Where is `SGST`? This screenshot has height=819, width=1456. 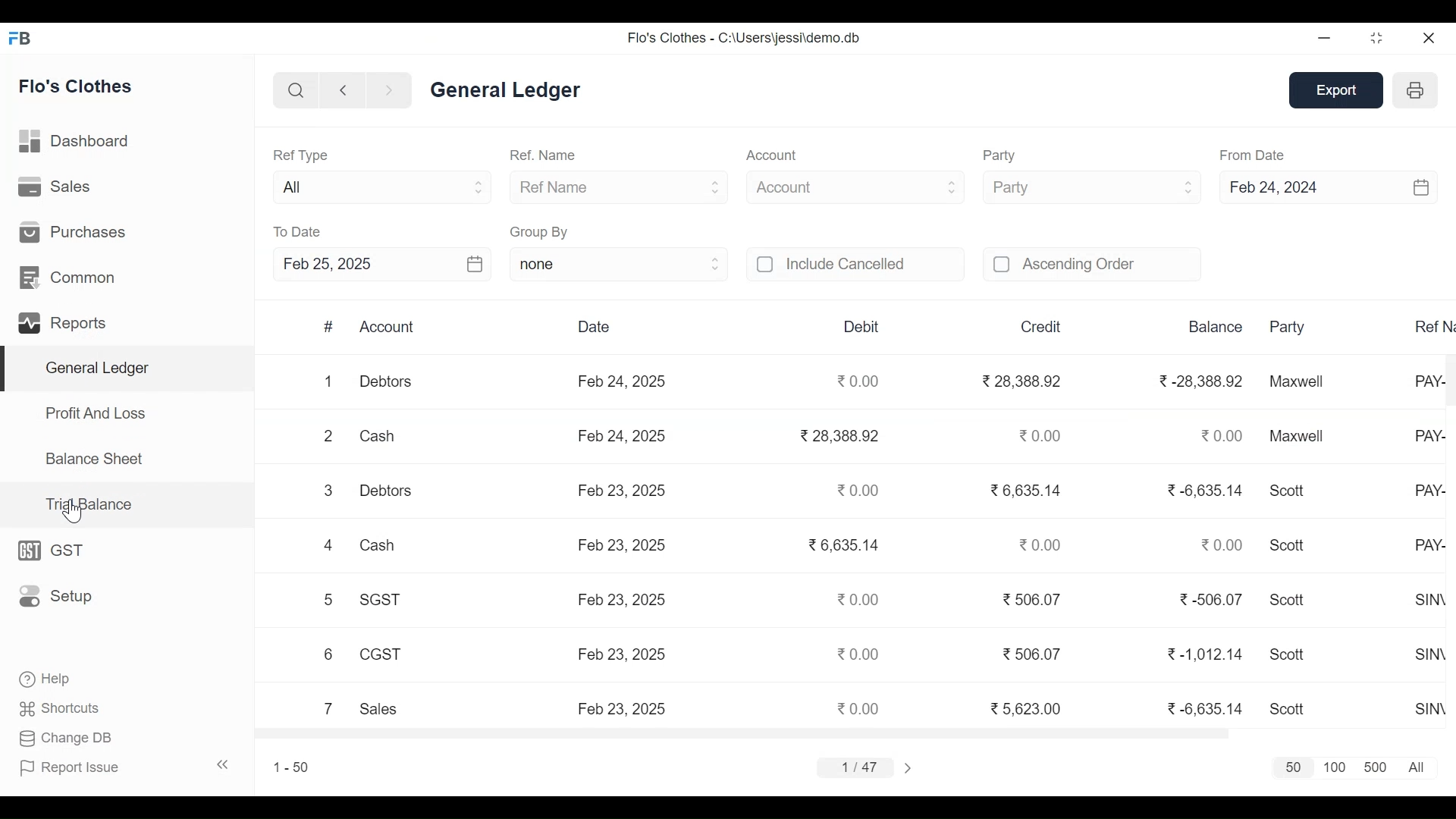
SGST is located at coordinates (378, 598).